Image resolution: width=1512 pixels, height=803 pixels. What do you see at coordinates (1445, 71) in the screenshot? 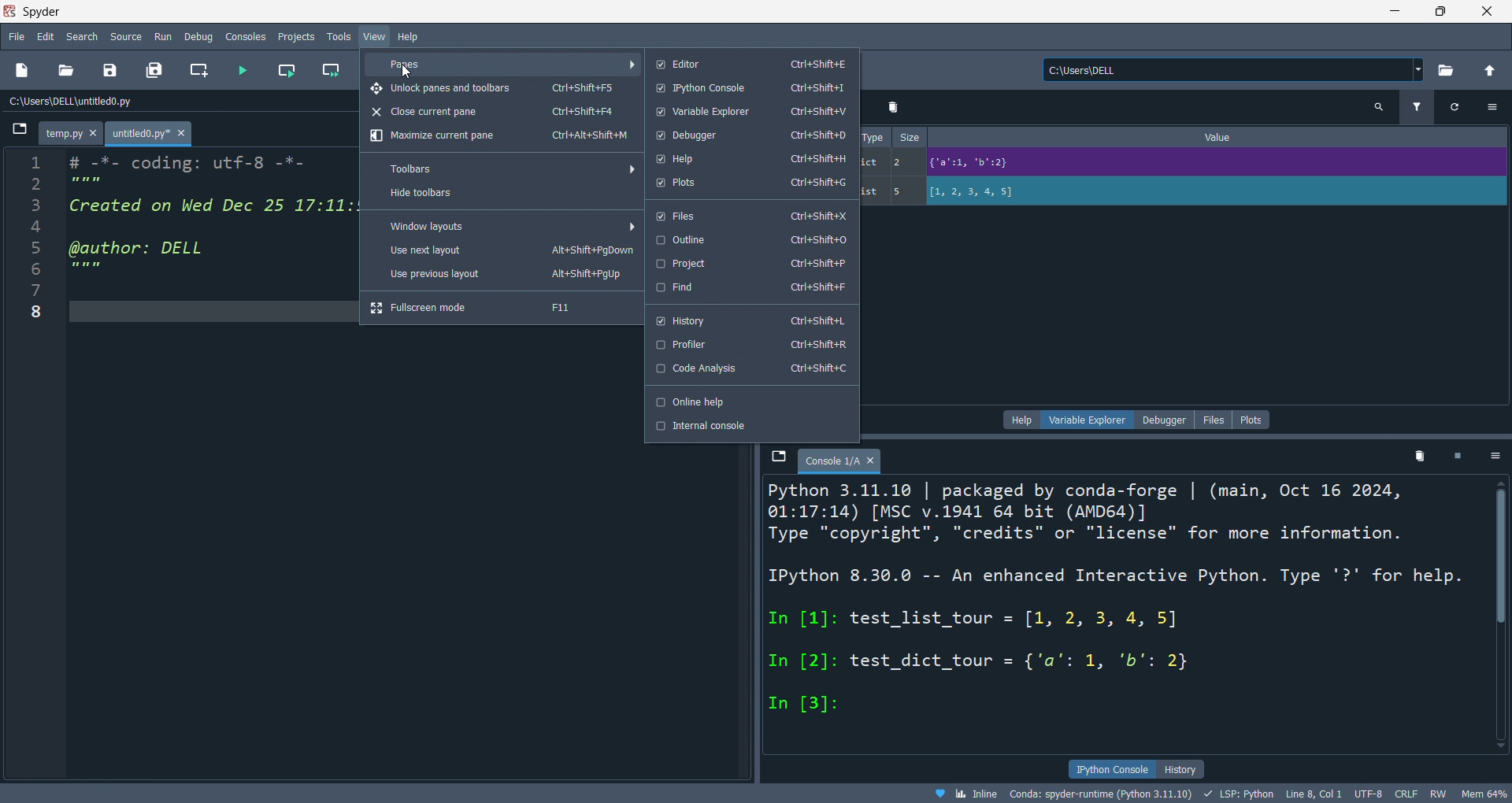
I see `open directory` at bounding box center [1445, 71].